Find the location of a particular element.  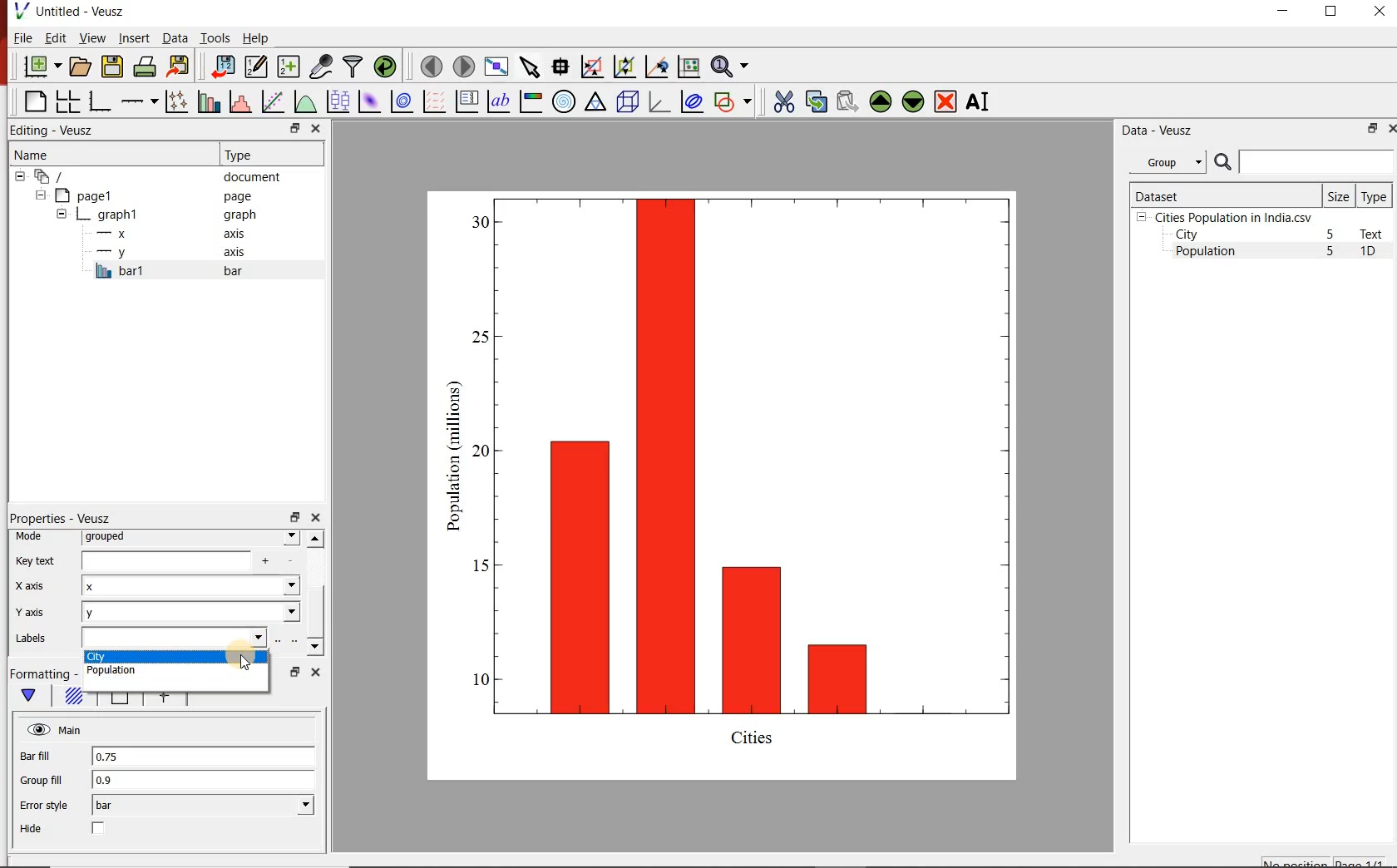

y axis is located at coordinates (174, 253).